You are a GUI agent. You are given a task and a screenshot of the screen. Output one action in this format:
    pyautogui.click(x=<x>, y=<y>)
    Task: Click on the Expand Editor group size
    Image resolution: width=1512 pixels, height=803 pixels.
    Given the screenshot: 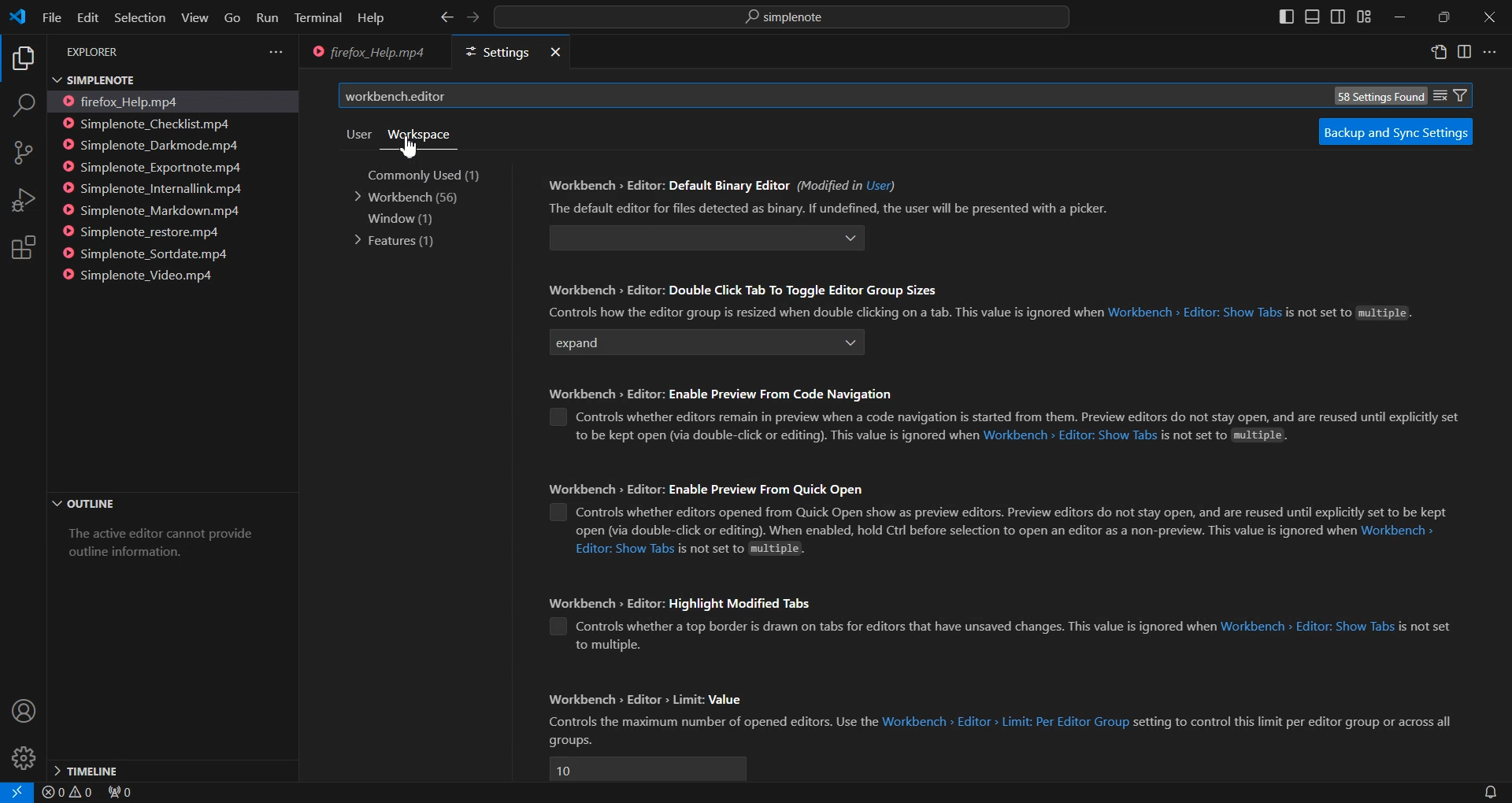 What is the action you would take?
    pyautogui.click(x=687, y=344)
    